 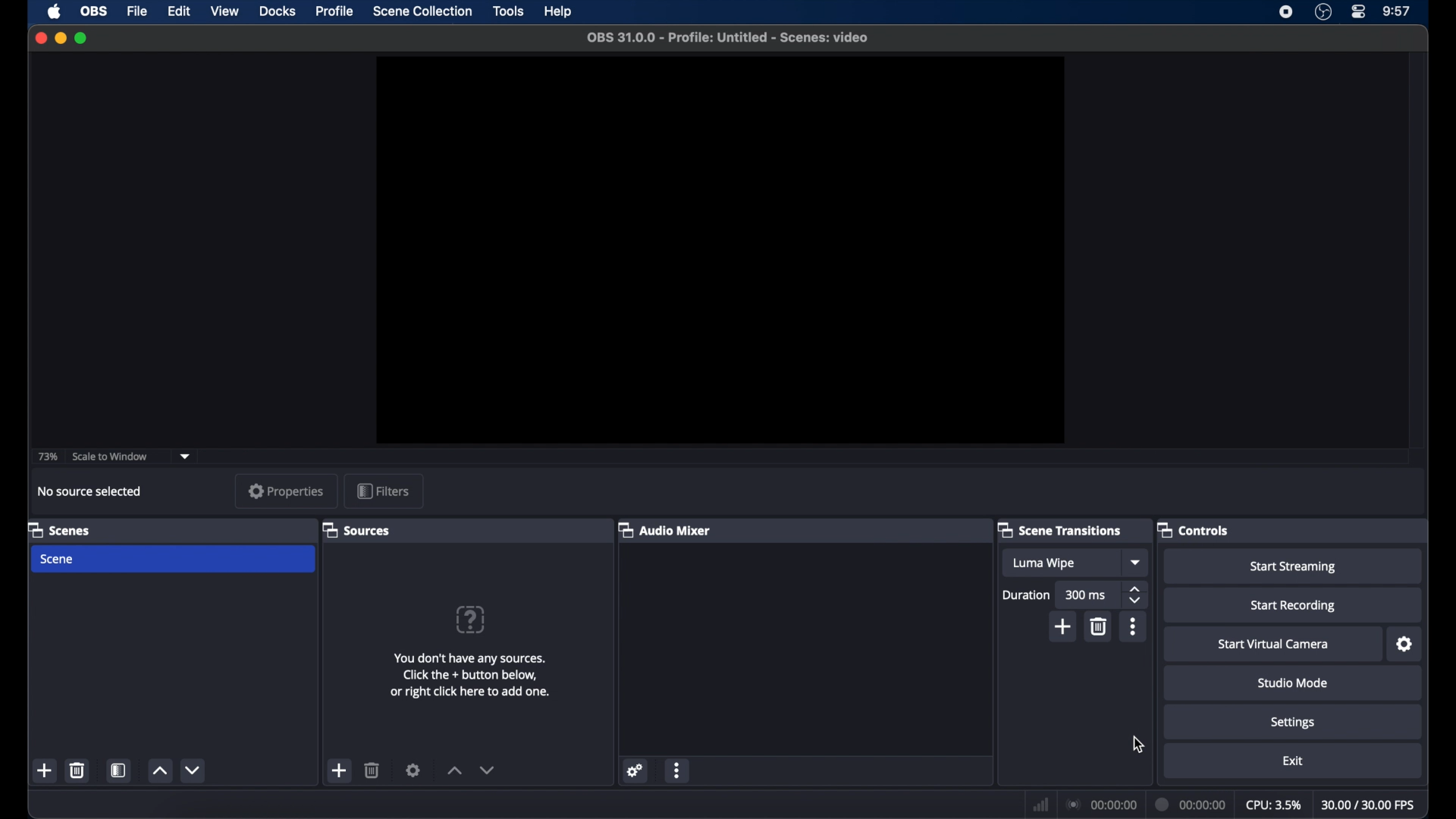 What do you see at coordinates (80, 39) in the screenshot?
I see `maximize` at bounding box center [80, 39].